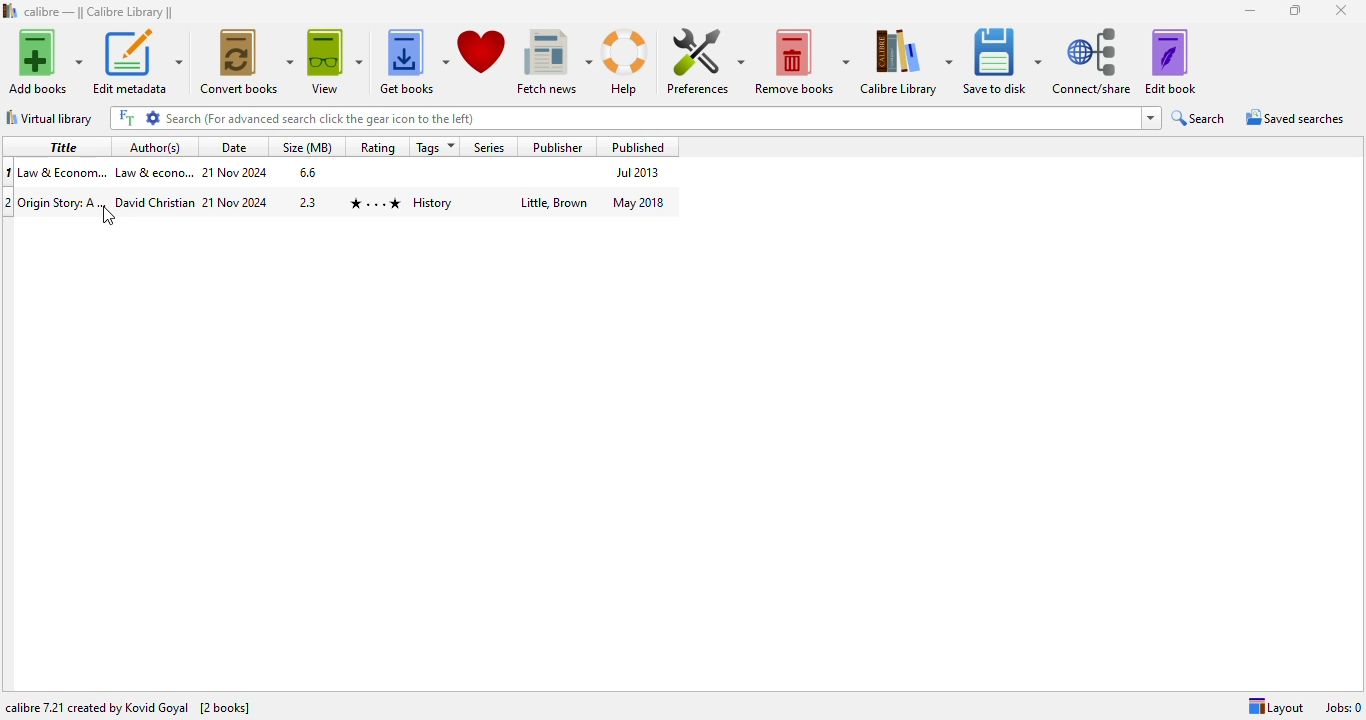 The height and width of the screenshot is (720, 1366). Describe the element at coordinates (10, 10) in the screenshot. I see `logo` at that location.